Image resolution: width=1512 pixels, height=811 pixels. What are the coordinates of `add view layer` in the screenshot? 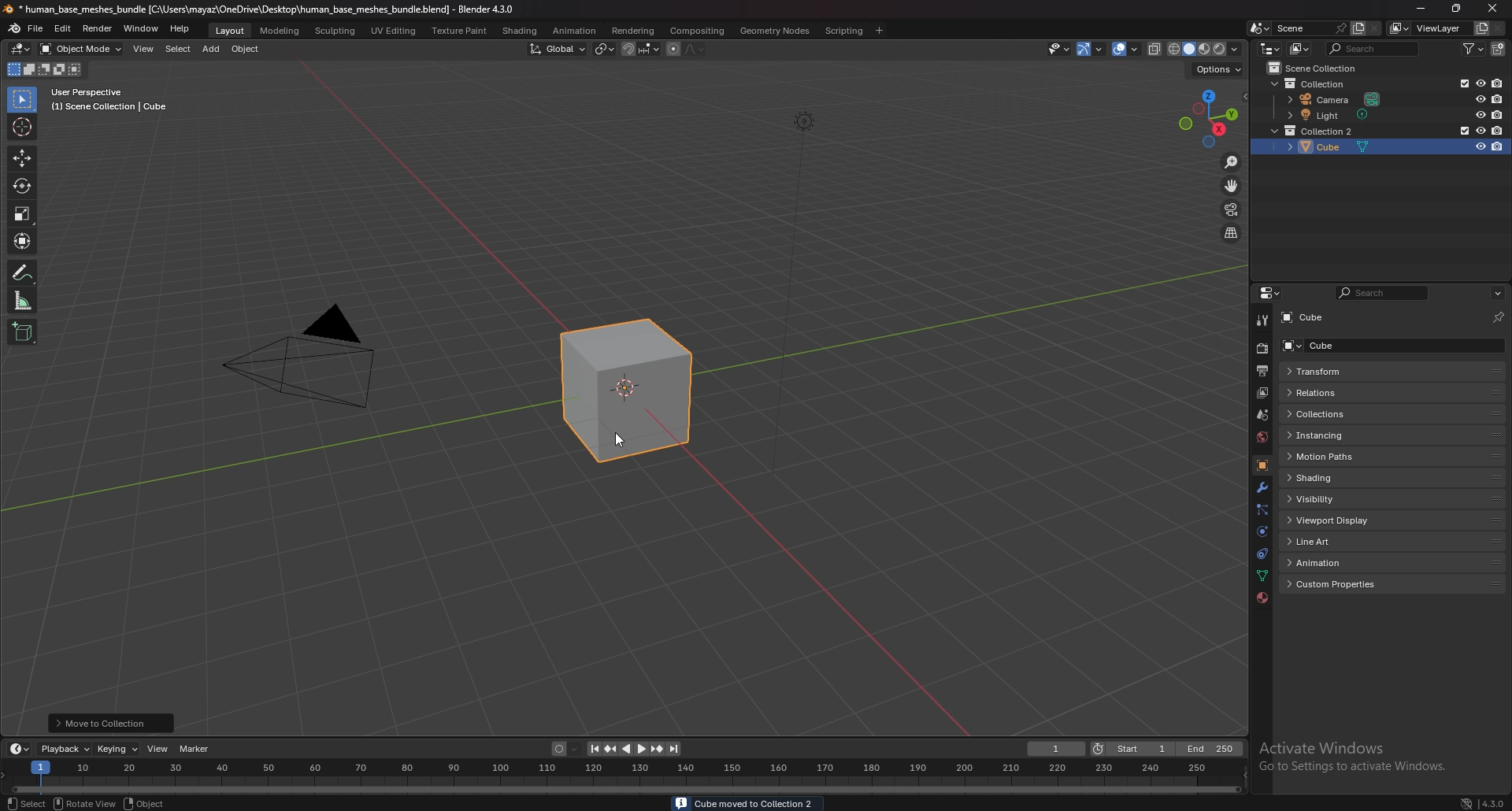 It's located at (1480, 28).